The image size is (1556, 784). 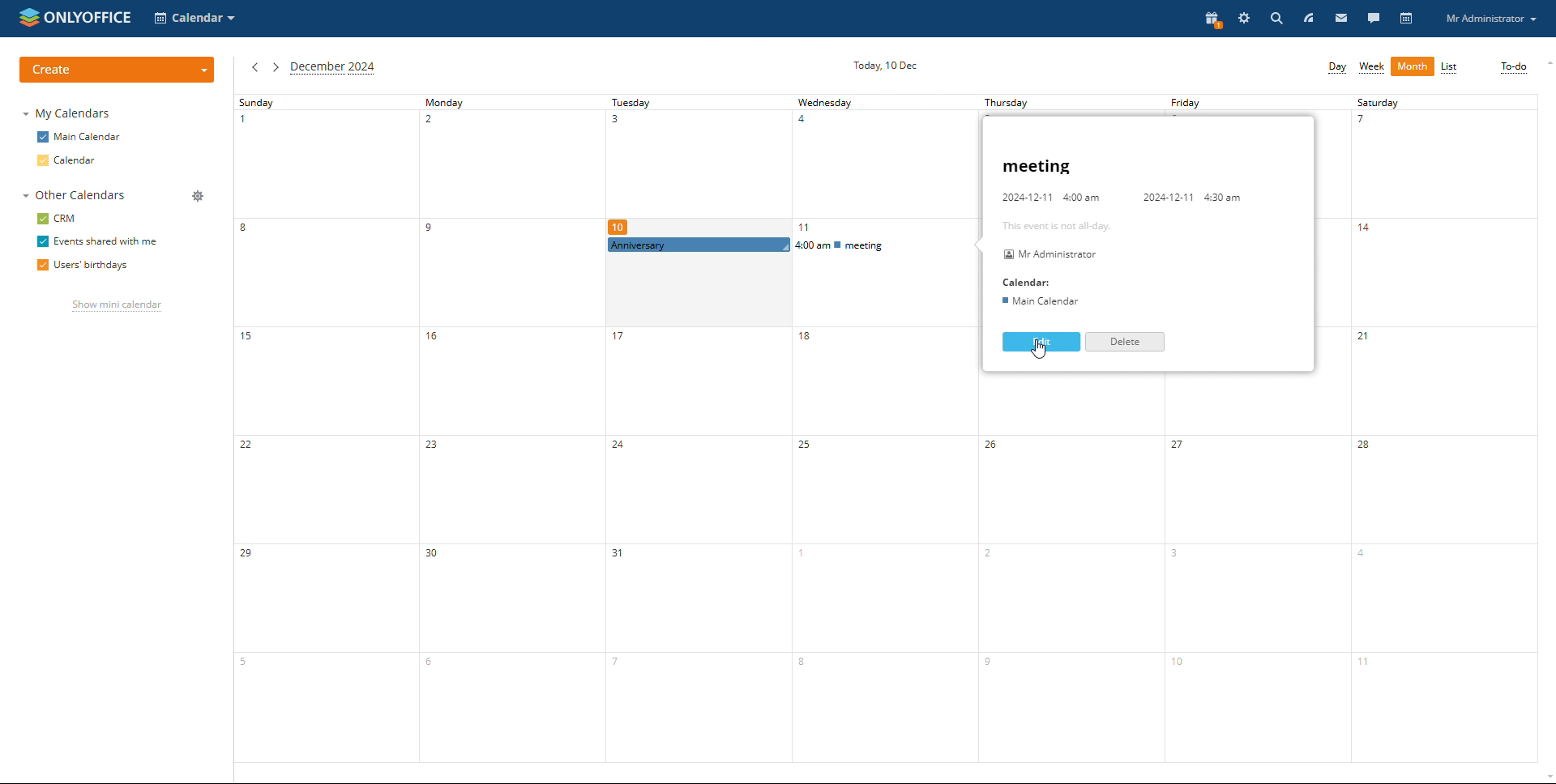 I want to click on present, so click(x=1211, y=19).